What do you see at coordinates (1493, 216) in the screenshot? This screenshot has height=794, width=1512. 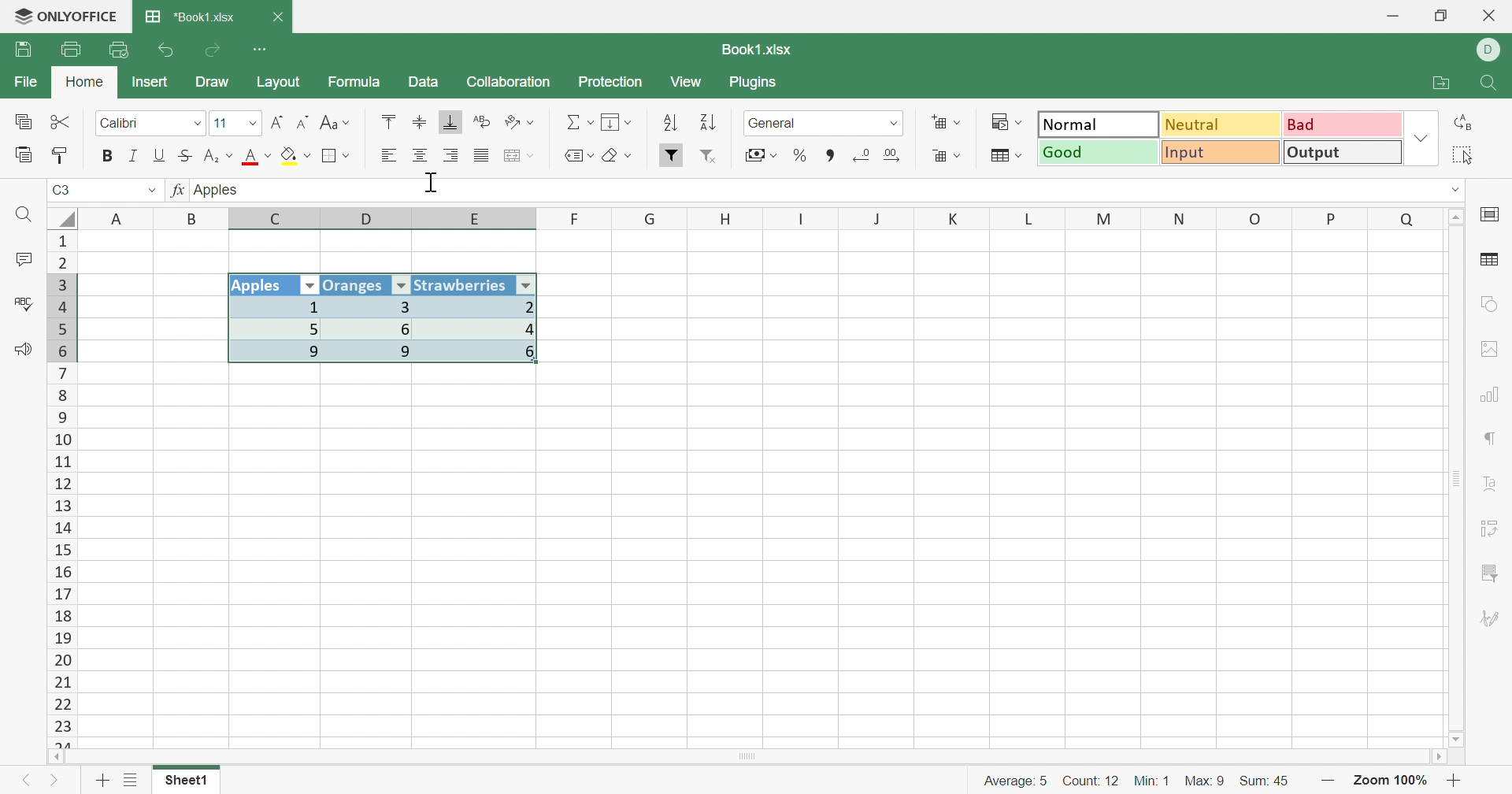 I see `cell settings` at bounding box center [1493, 216].